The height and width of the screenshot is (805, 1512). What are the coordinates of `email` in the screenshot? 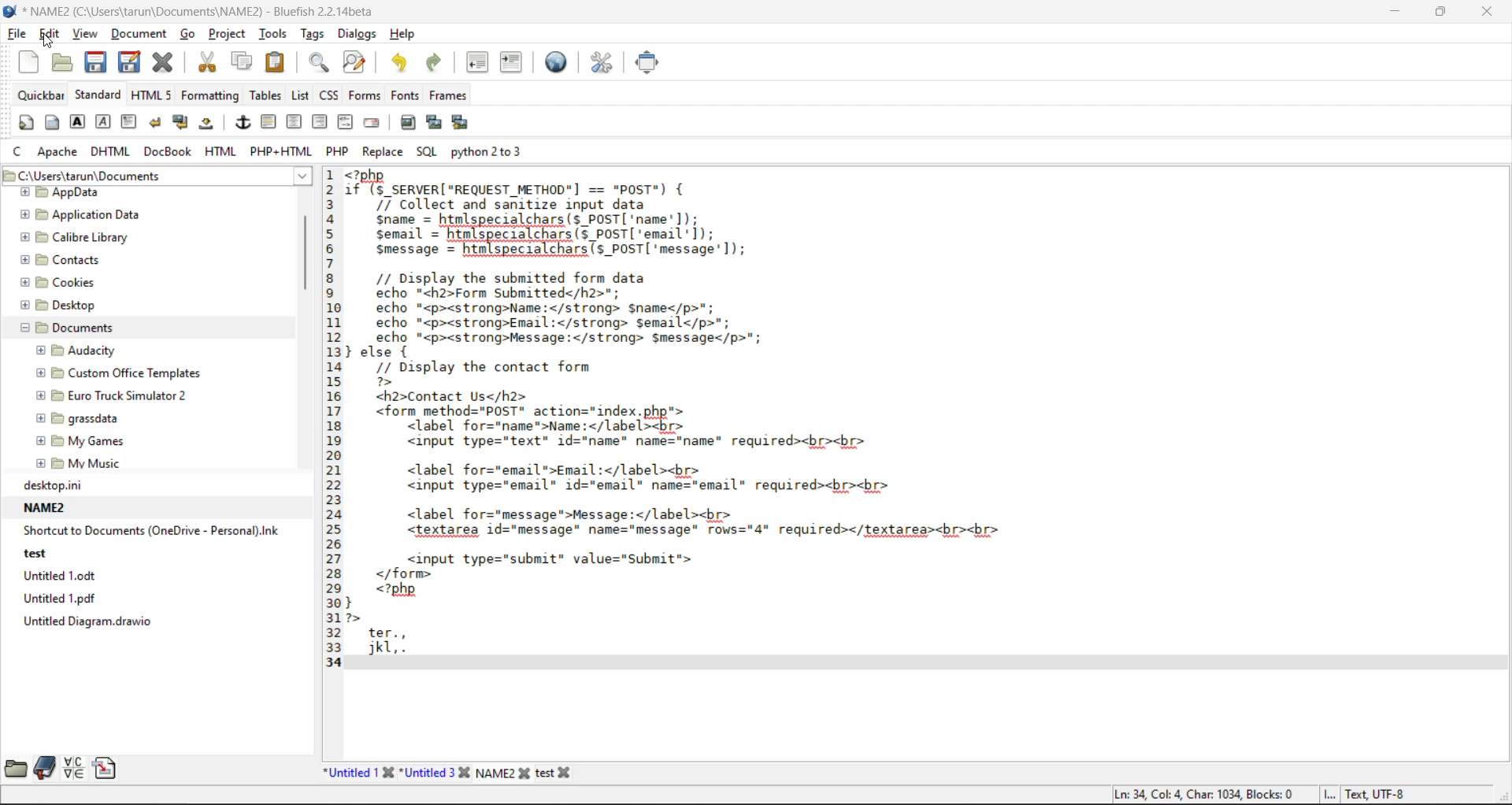 It's located at (374, 123).